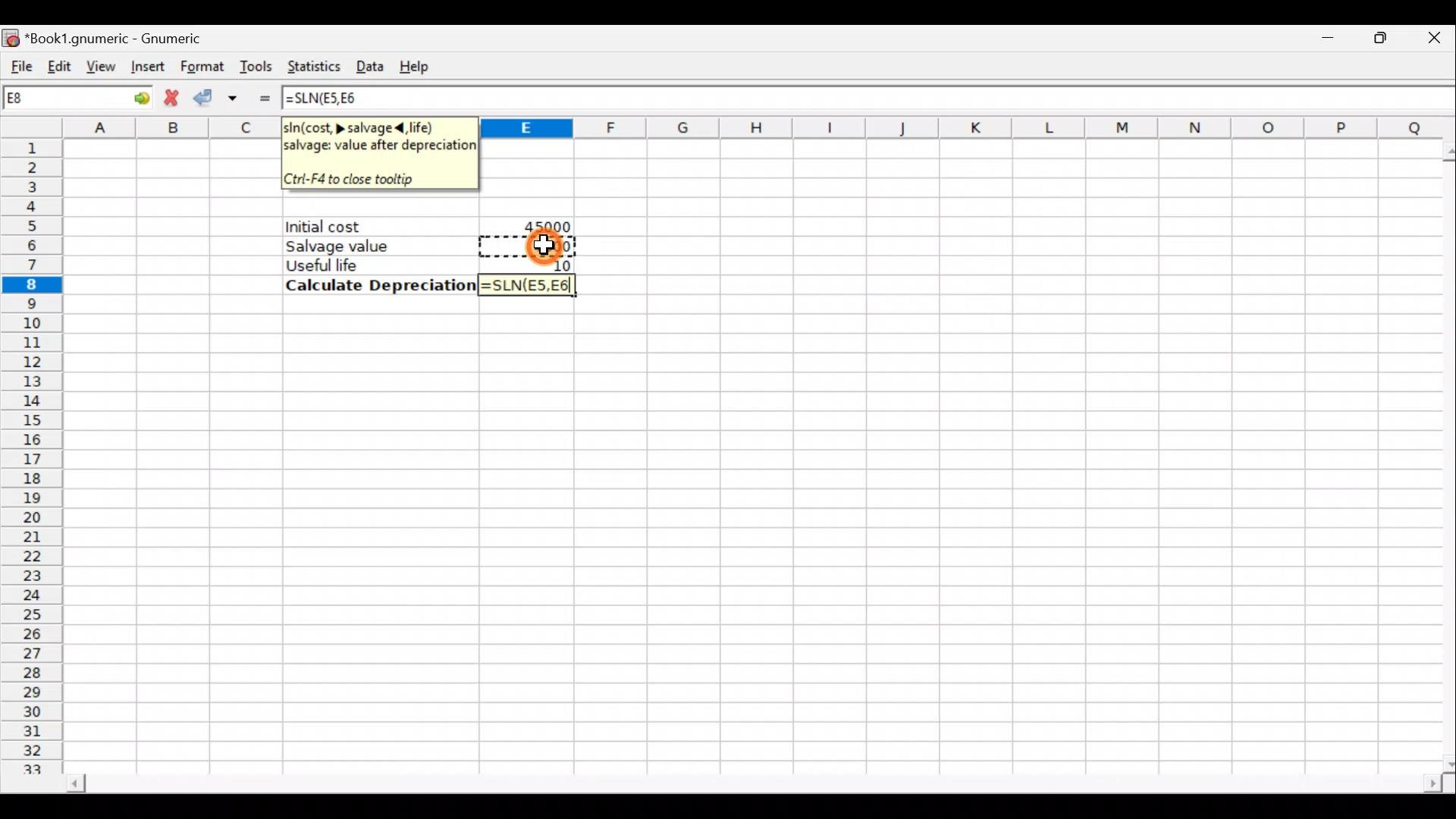 The height and width of the screenshot is (819, 1456). Describe the element at coordinates (369, 246) in the screenshot. I see `Salvage value` at that location.